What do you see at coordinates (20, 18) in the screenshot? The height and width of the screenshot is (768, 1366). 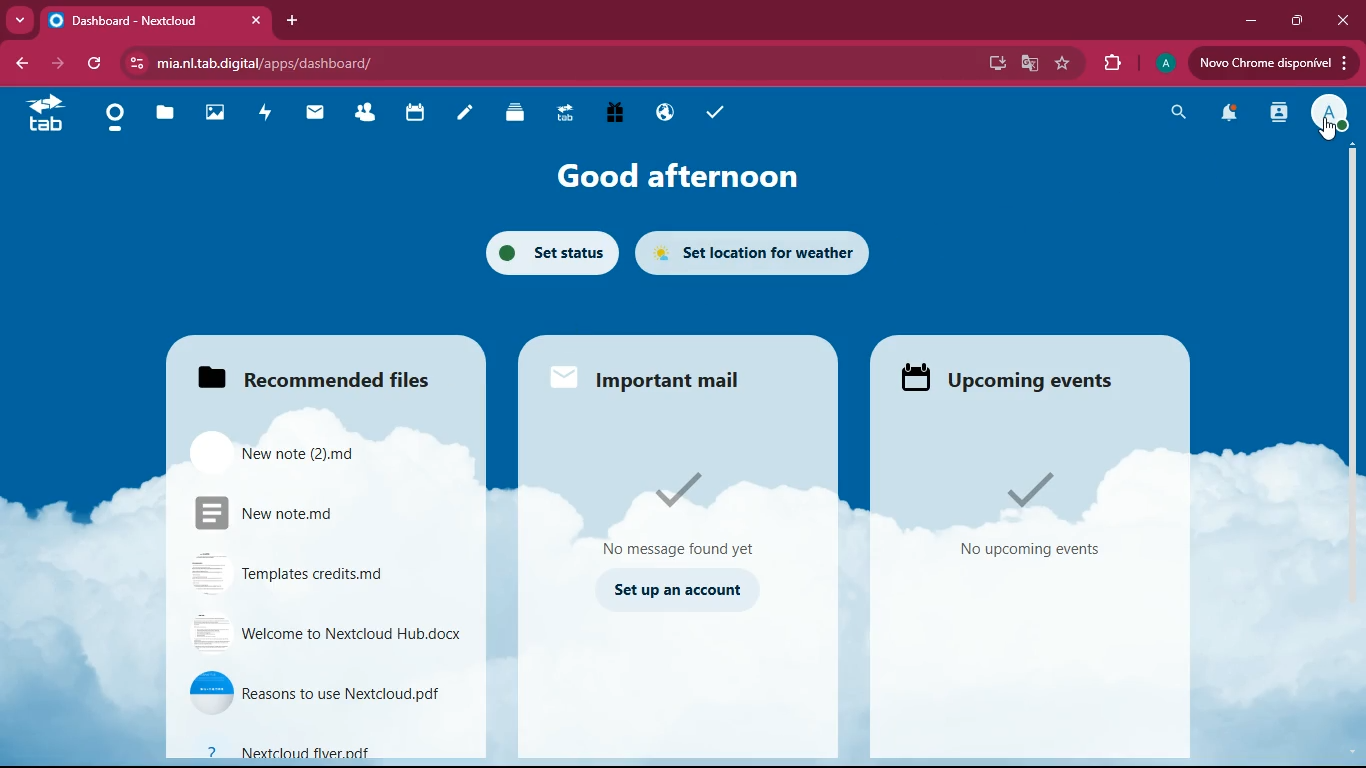 I see `more` at bounding box center [20, 18].